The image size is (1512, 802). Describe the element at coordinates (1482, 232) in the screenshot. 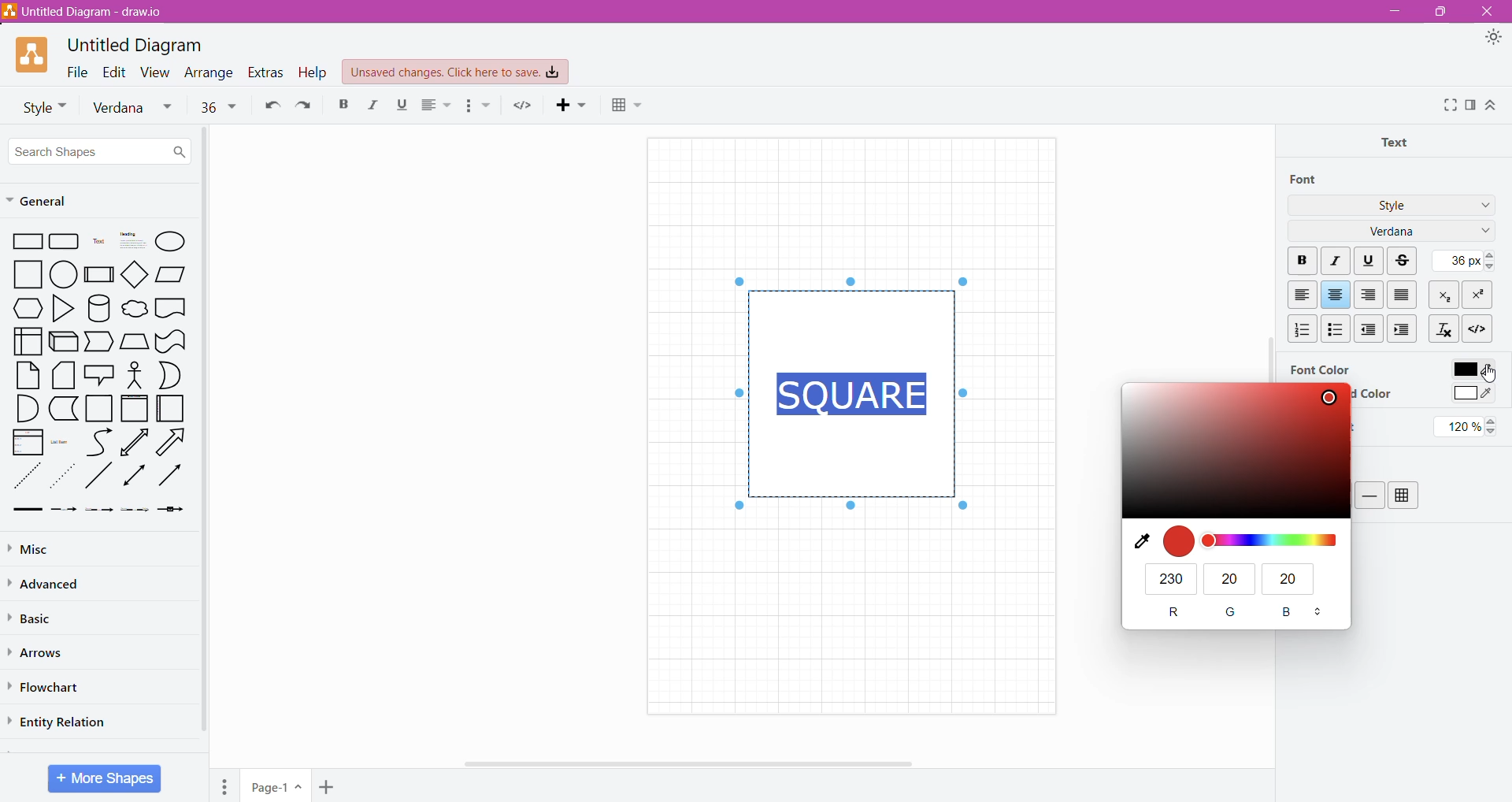

I see `Font Family` at that location.